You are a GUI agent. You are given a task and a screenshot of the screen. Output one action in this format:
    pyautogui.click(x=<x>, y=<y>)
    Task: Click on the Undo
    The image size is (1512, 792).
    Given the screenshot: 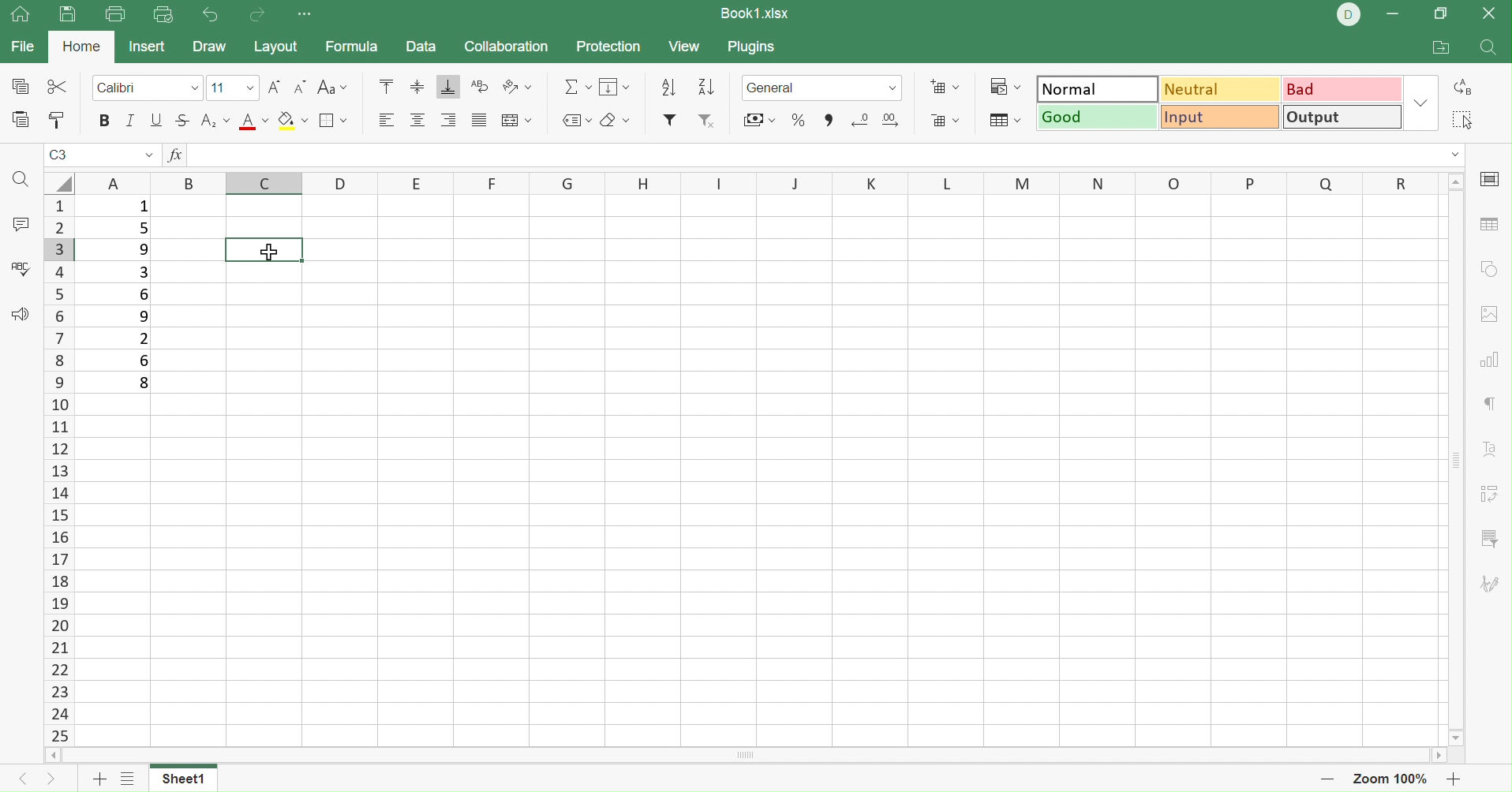 What is the action you would take?
    pyautogui.click(x=210, y=13)
    